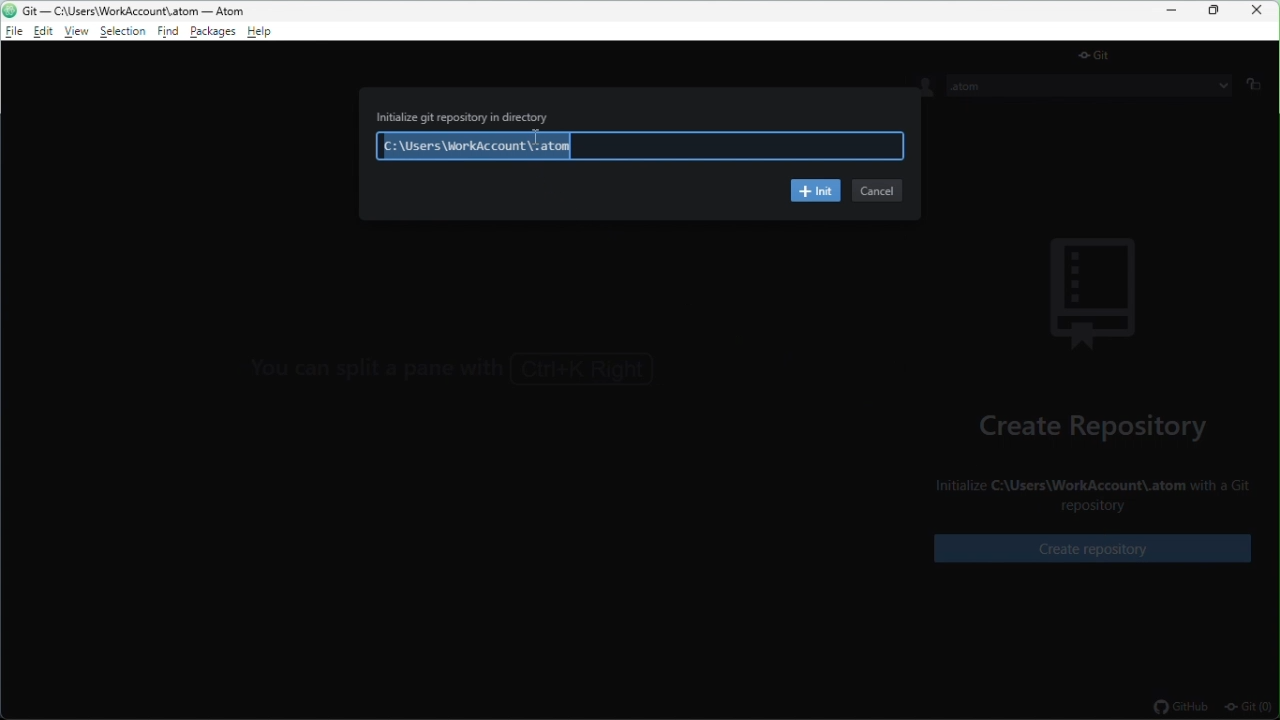 This screenshot has height=720, width=1280. I want to click on You can focus the GitHub tab with Ctrl+8, so click(457, 359).